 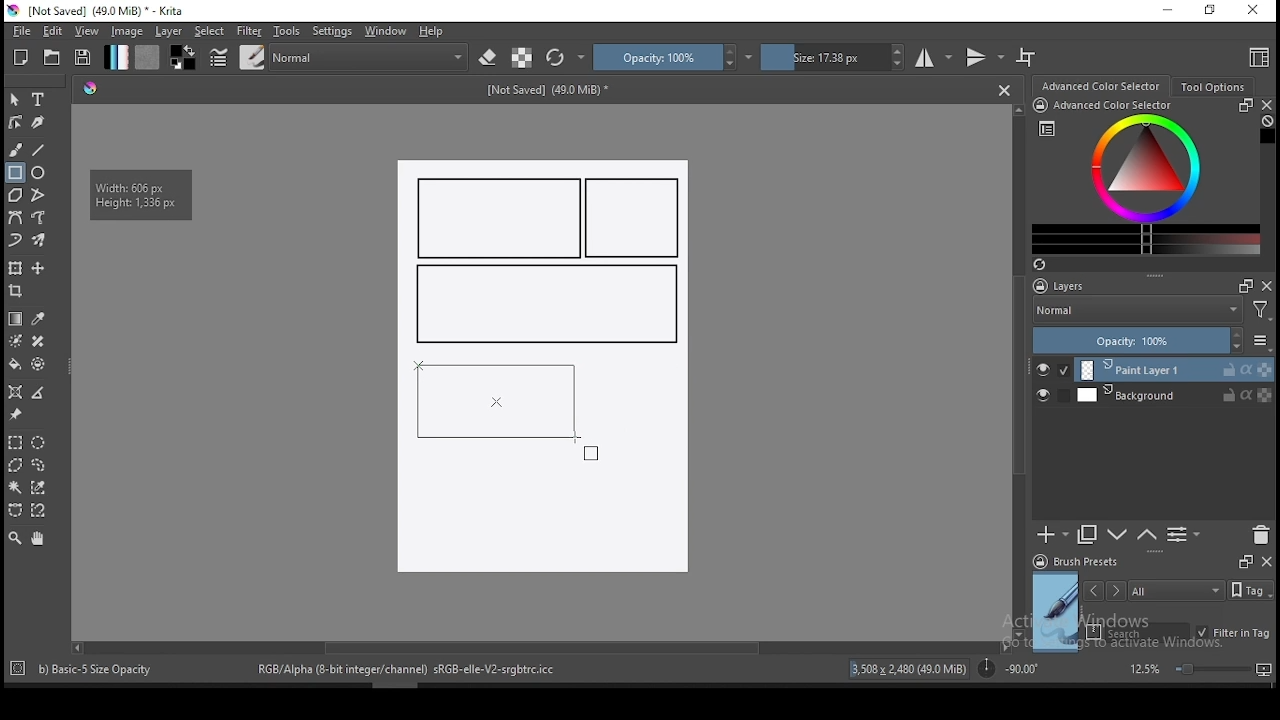 I want to click on , so click(x=985, y=55).